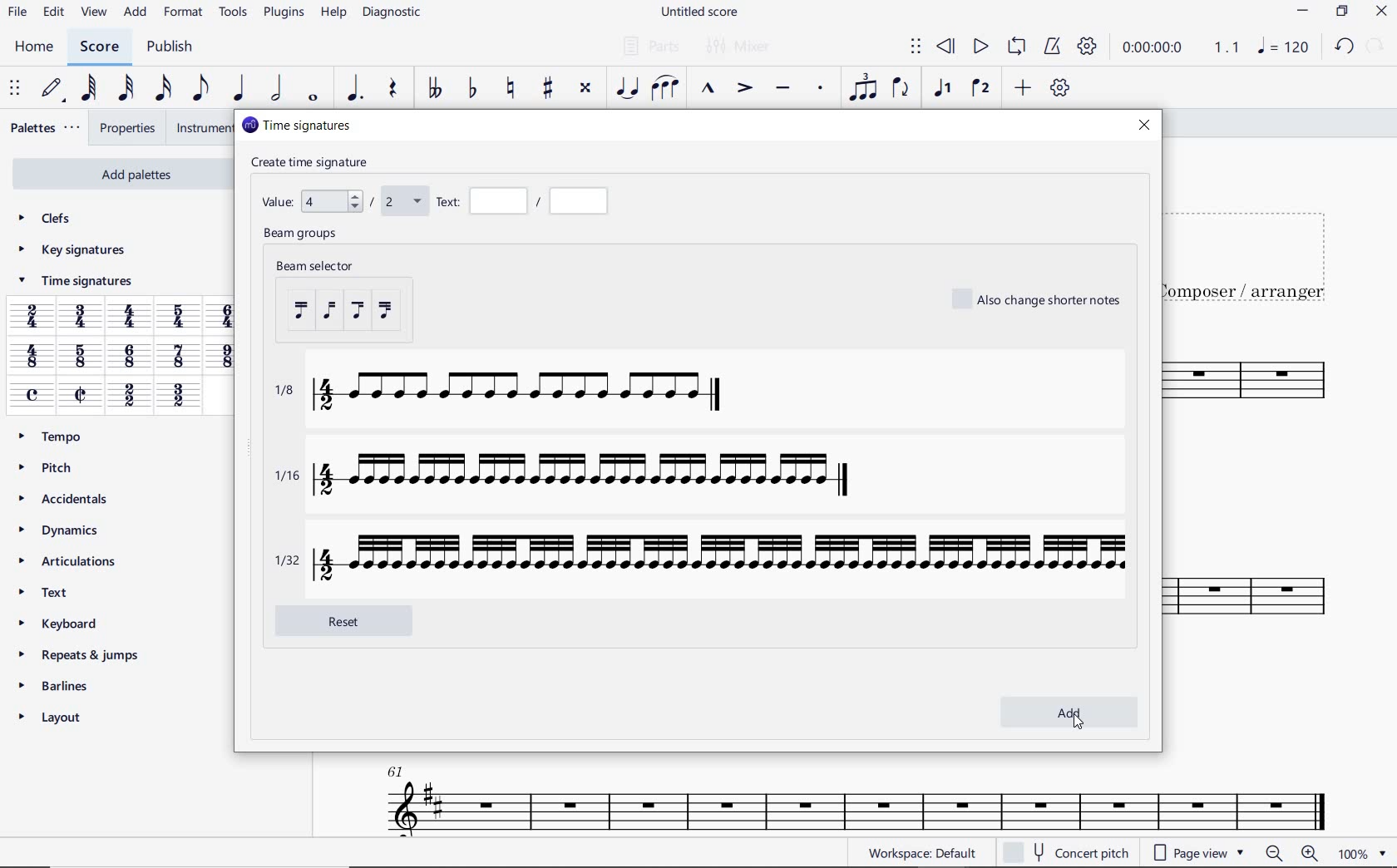  I want to click on KEYBOARD, so click(61, 622).